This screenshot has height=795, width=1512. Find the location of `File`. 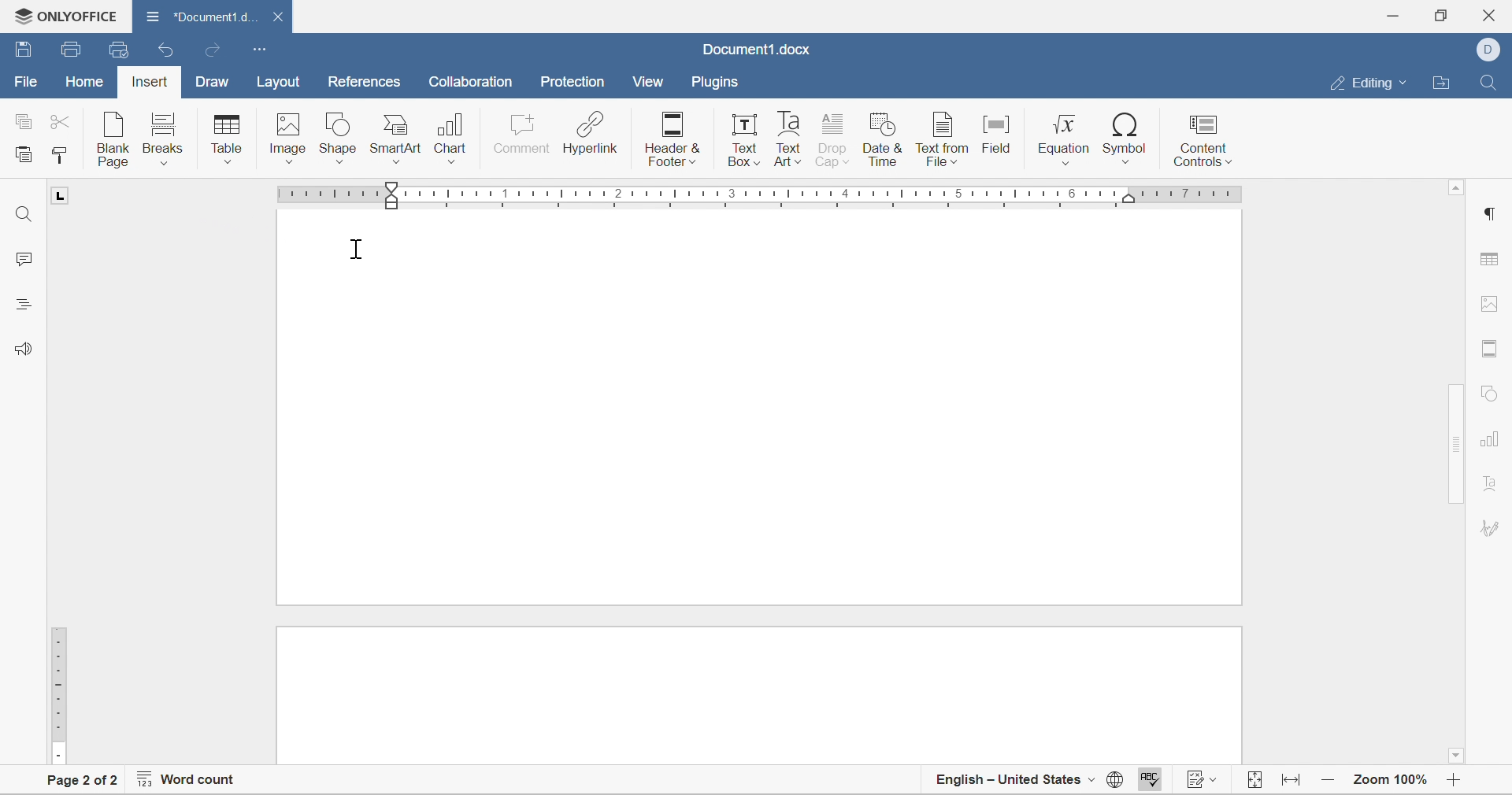

File is located at coordinates (22, 83).